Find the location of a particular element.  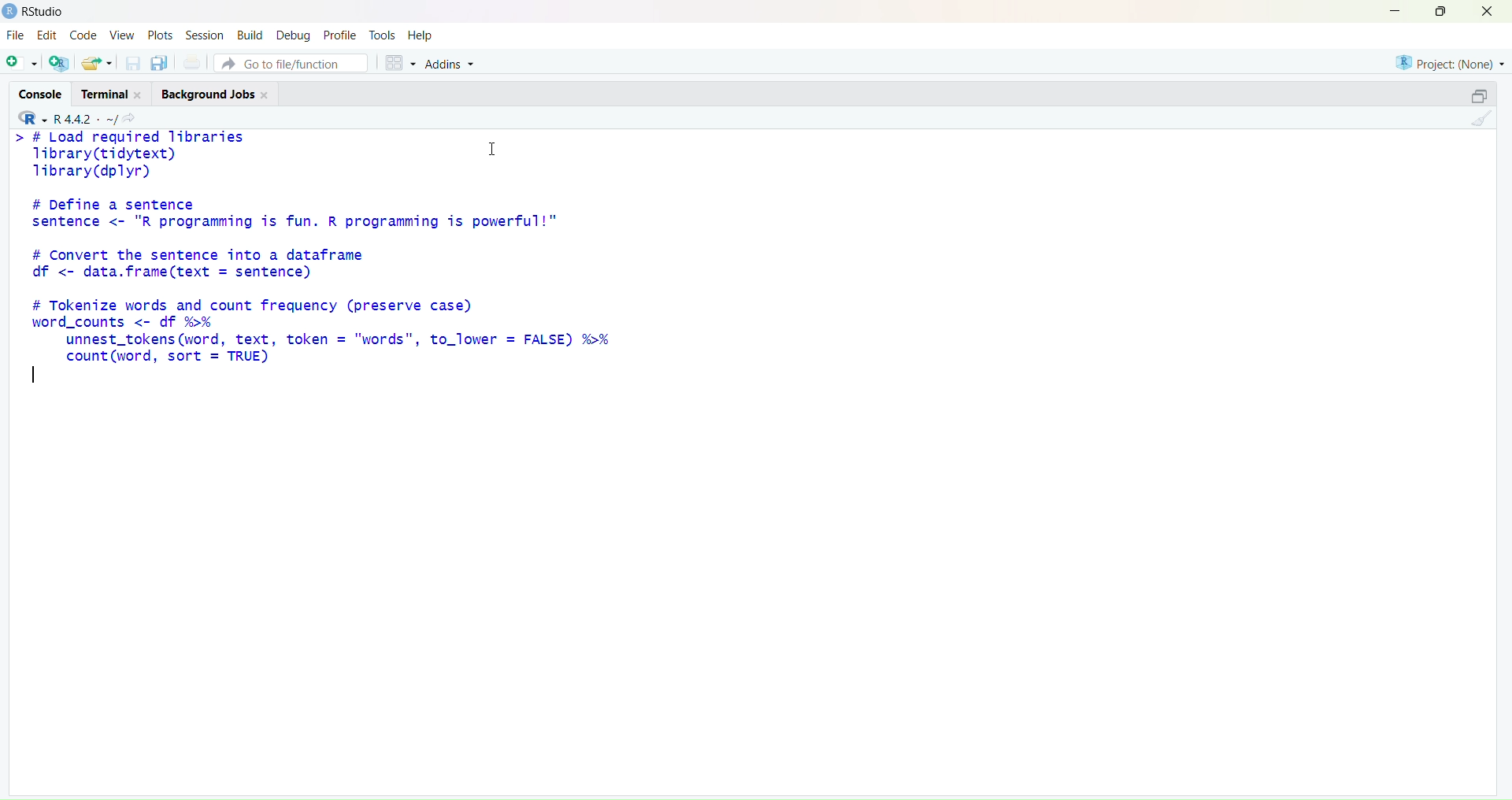

code is located at coordinates (87, 36).